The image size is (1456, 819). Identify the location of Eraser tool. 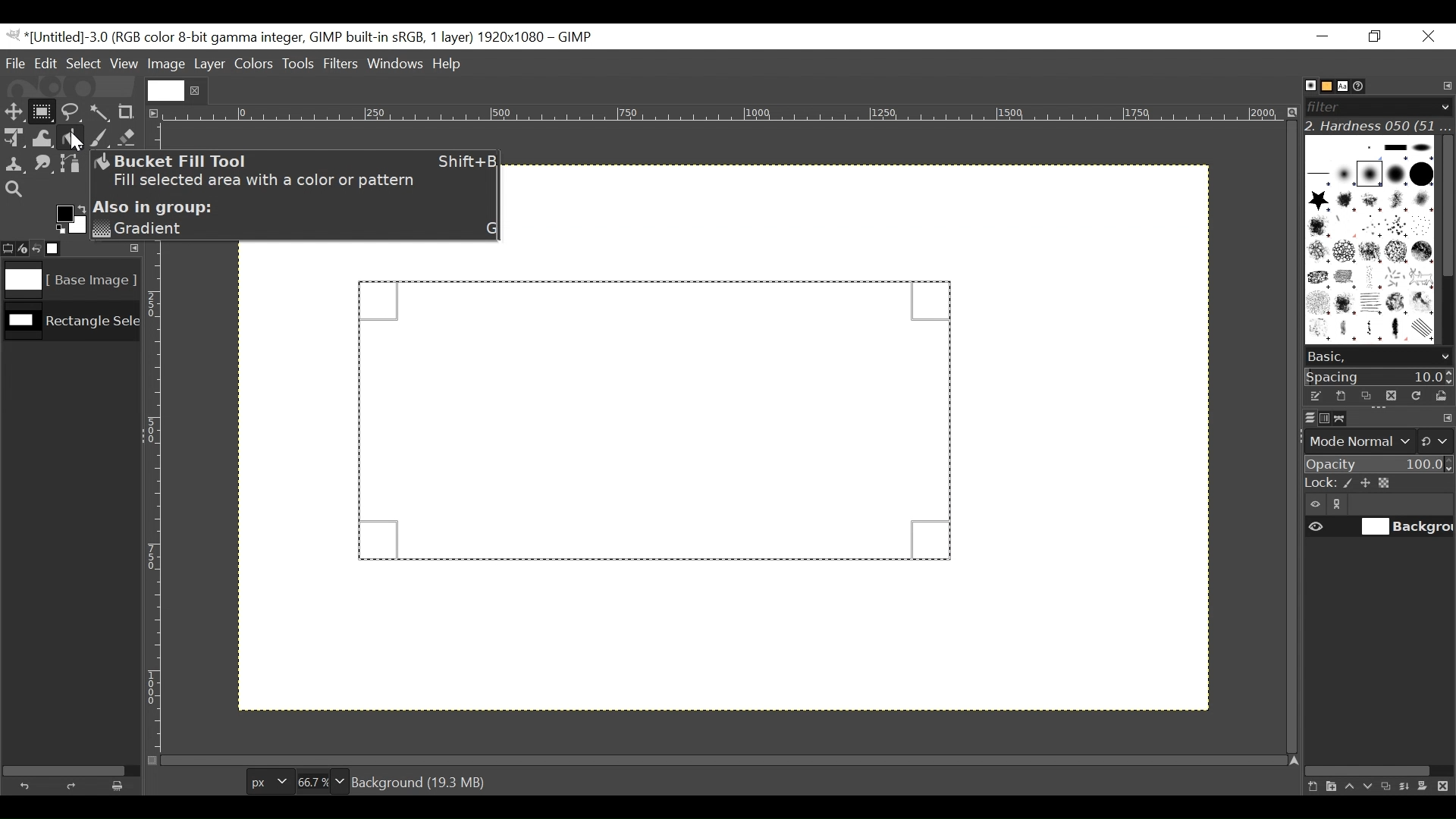
(129, 139).